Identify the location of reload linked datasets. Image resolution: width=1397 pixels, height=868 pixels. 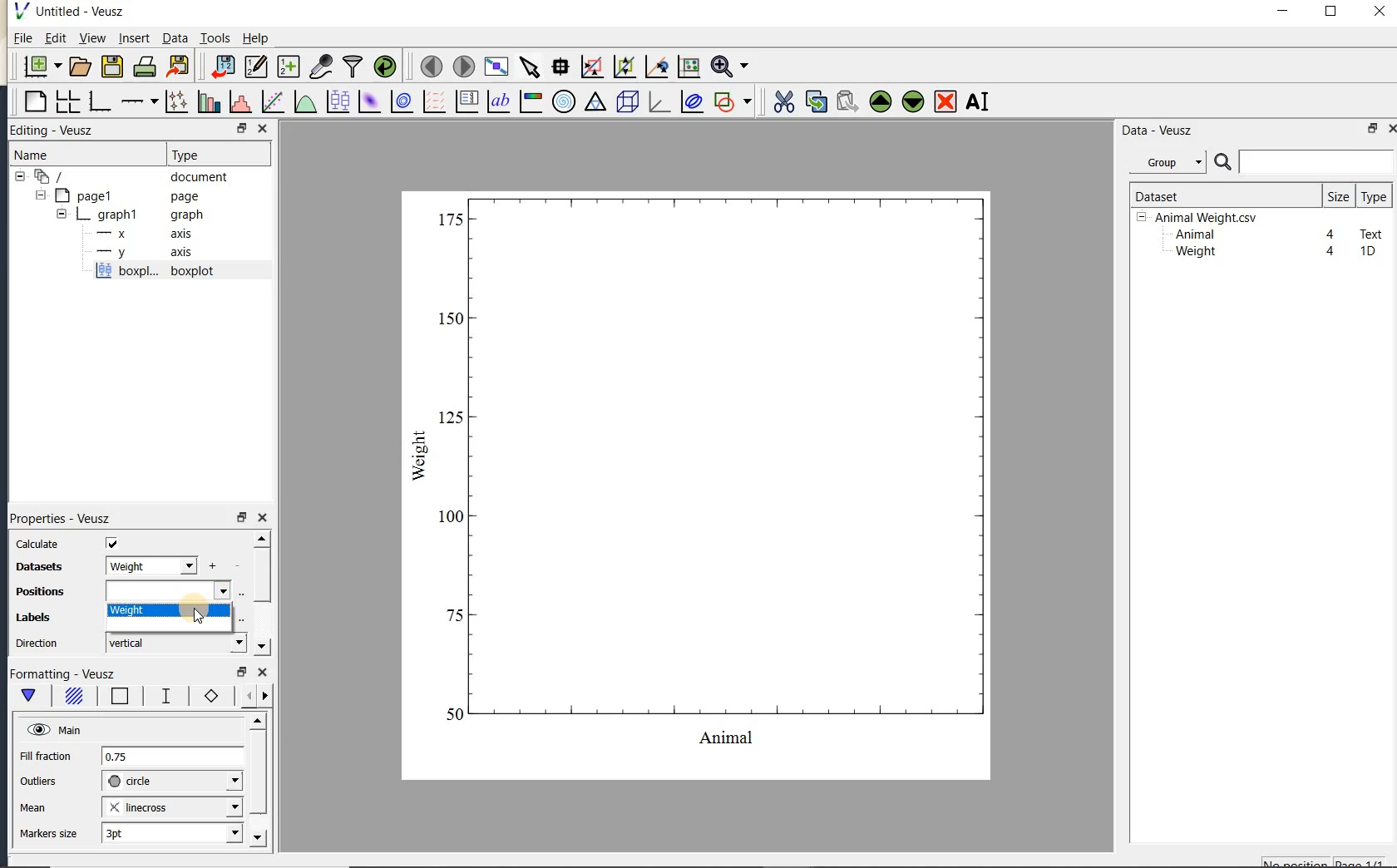
(385, 65).